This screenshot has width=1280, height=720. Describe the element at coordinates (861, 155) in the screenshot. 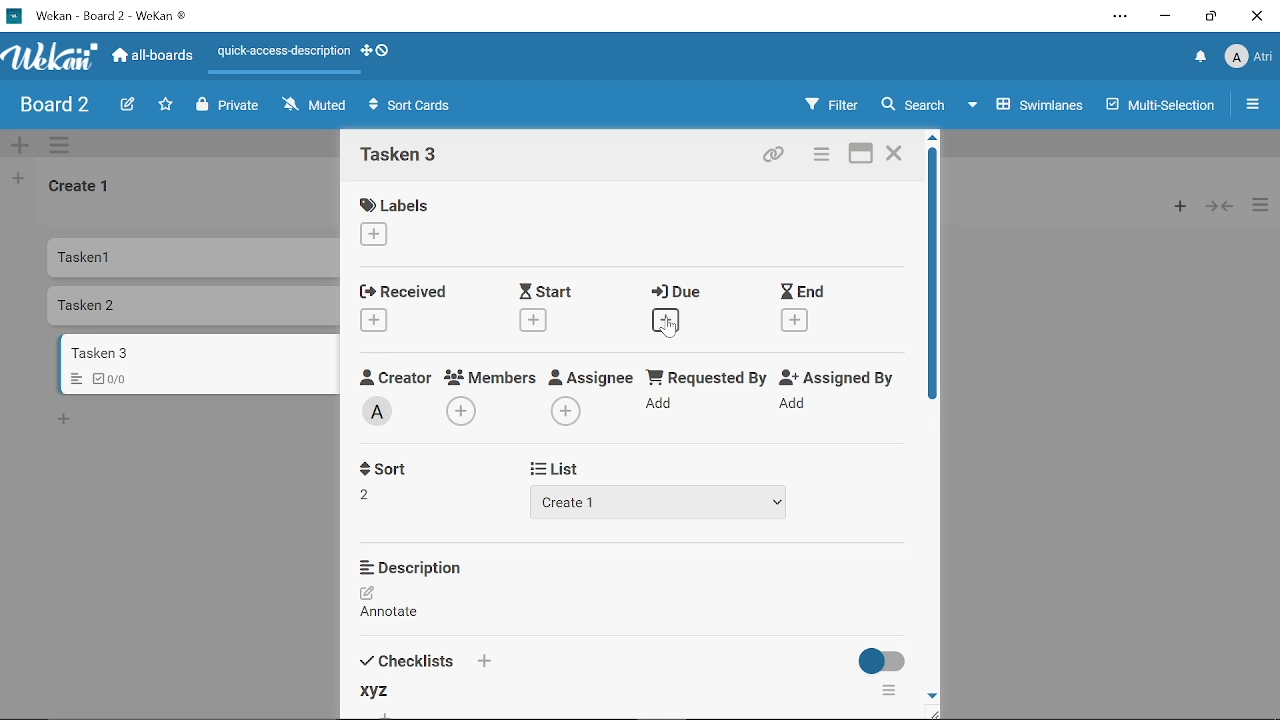

I see `maximize card` at that location.